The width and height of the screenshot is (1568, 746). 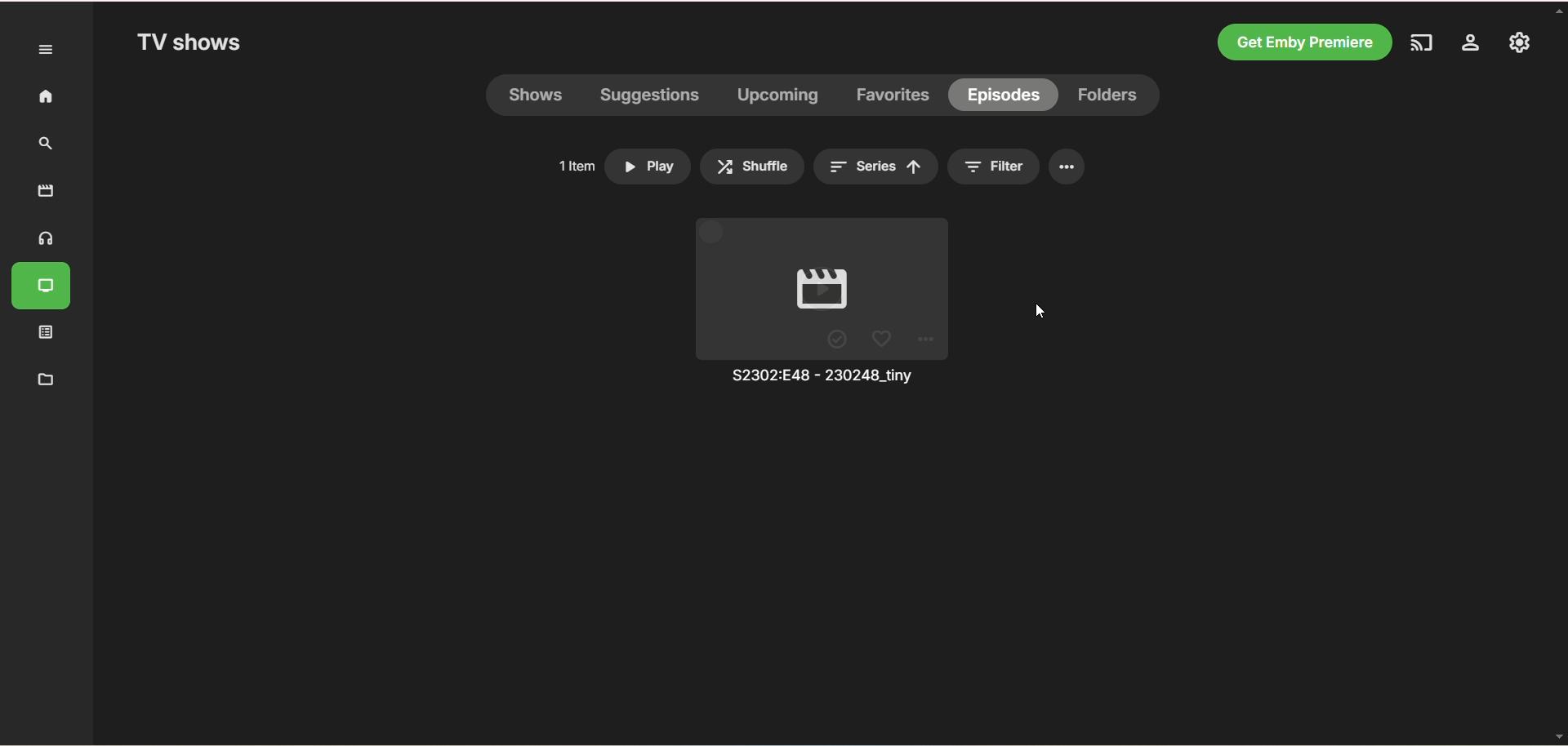 I want to click on music, so click(x=48, y=240).